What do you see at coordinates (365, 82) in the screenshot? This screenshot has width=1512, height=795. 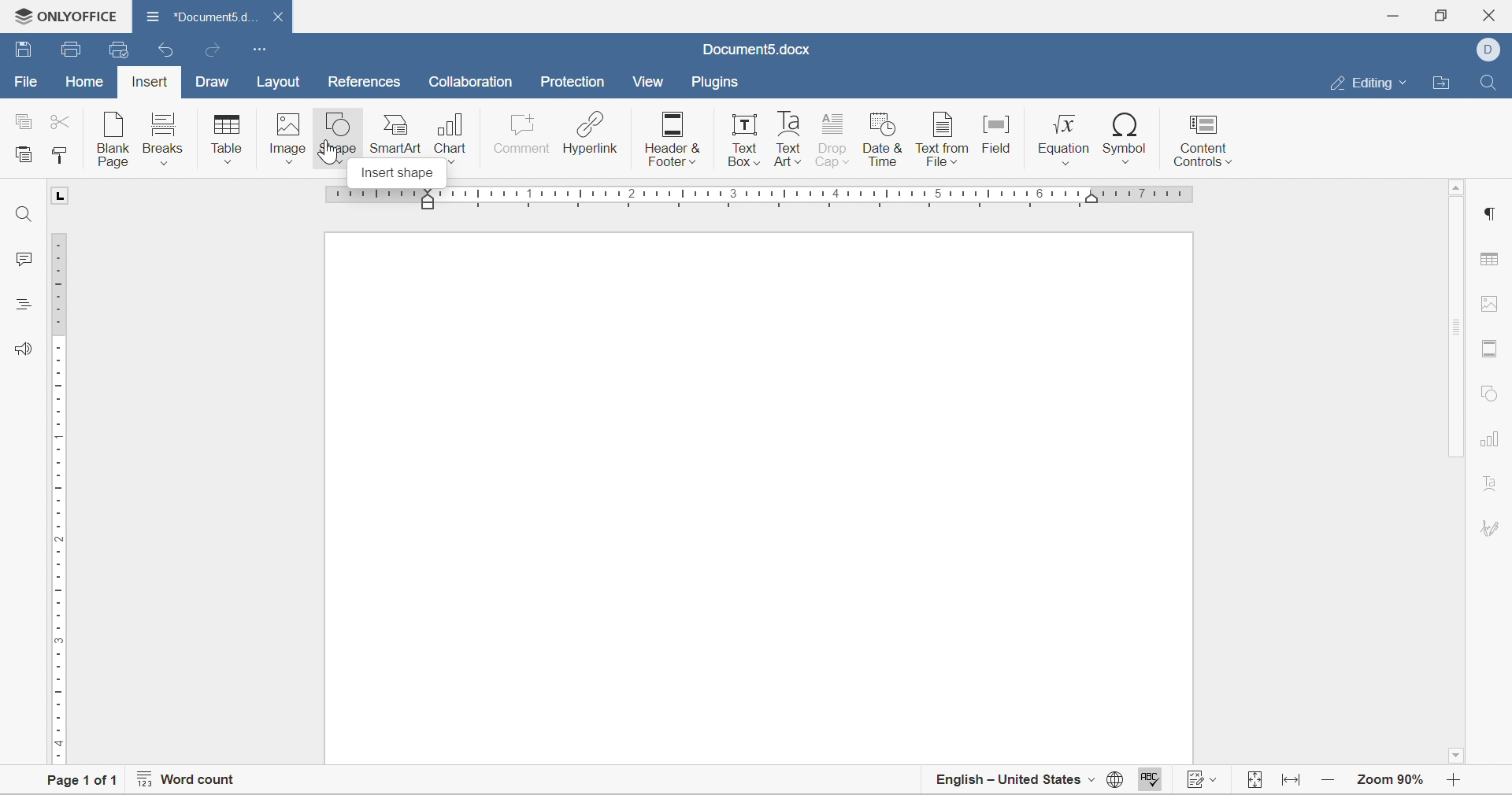 I see `references` at bounding box center [365, 82].